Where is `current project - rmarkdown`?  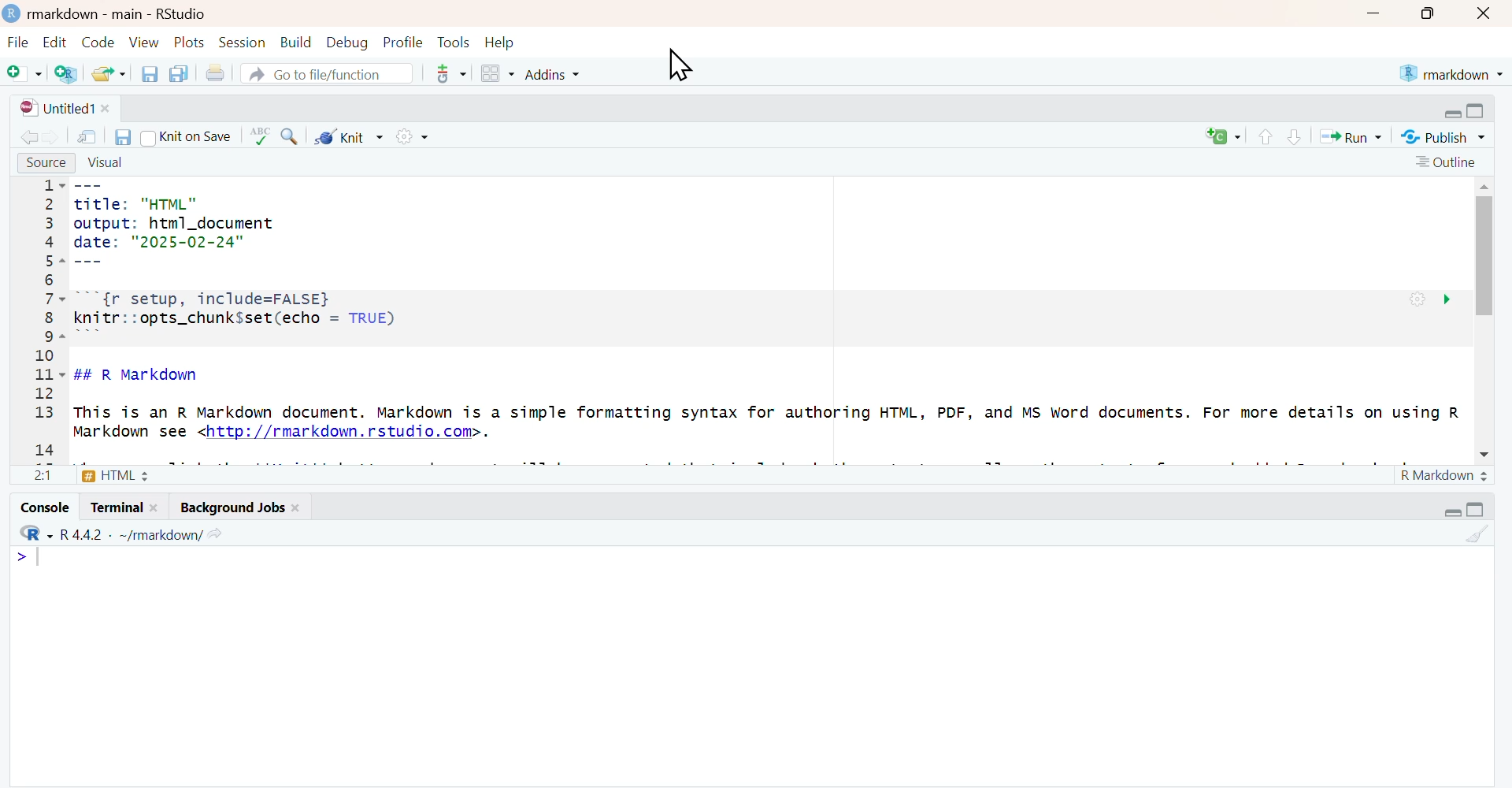 current project - rmarkdown is located at coordinates (1451, 73).